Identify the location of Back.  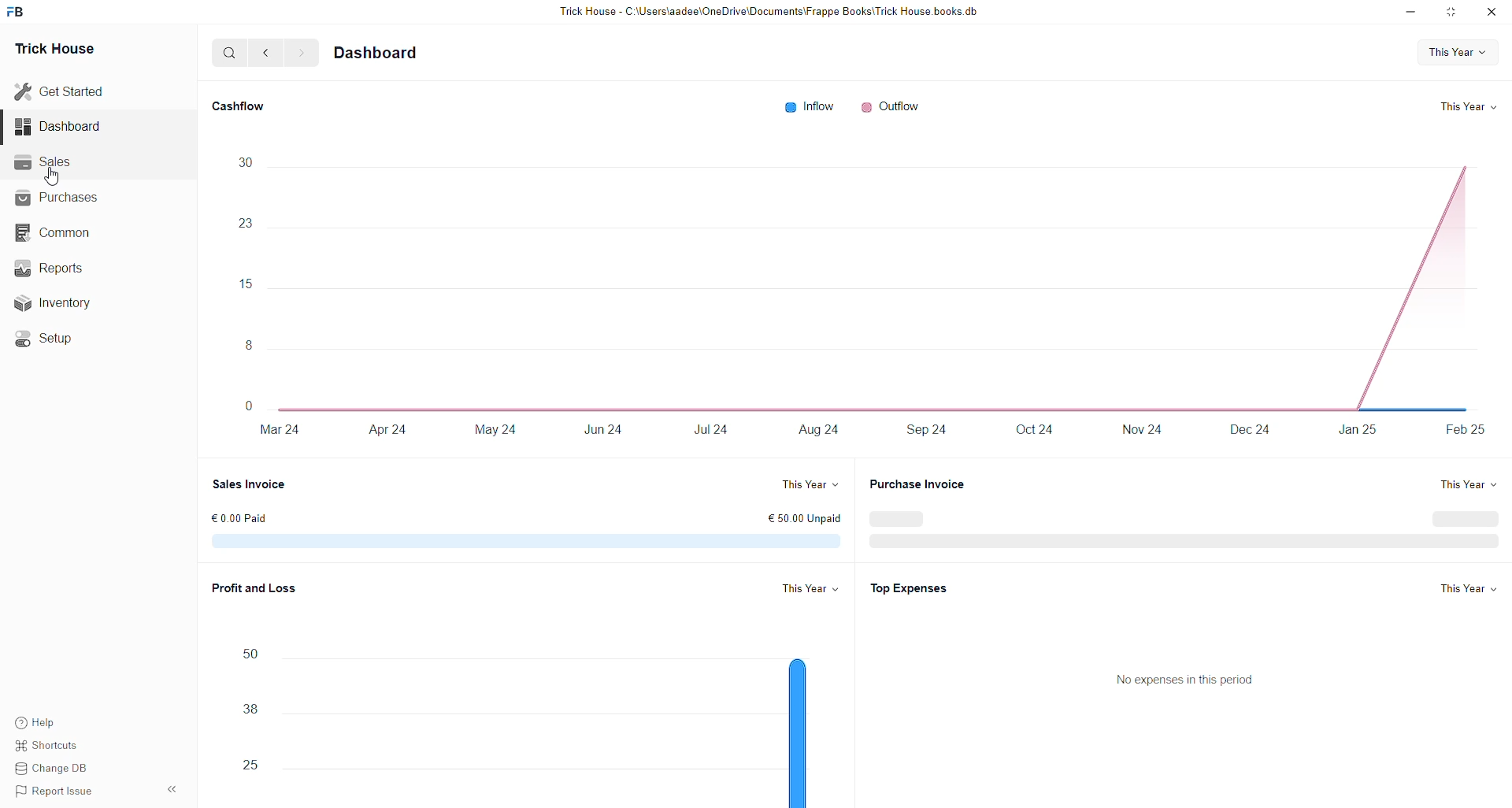
(266, 54).